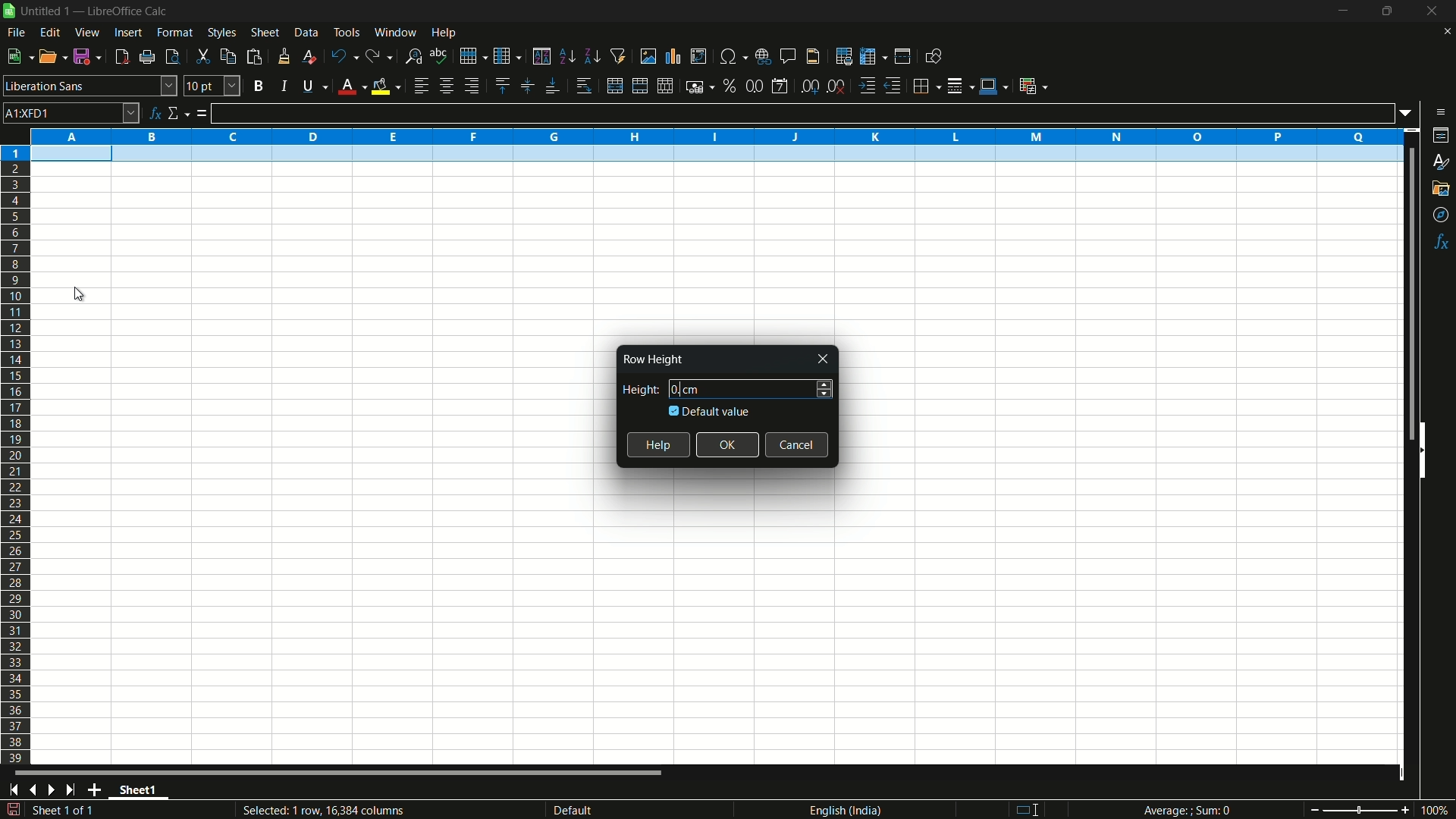 This screenshot has width=1456, height=819. Describe the element at coordinates (812, 87) in the screenshot. I see `add decimal place` at that location.